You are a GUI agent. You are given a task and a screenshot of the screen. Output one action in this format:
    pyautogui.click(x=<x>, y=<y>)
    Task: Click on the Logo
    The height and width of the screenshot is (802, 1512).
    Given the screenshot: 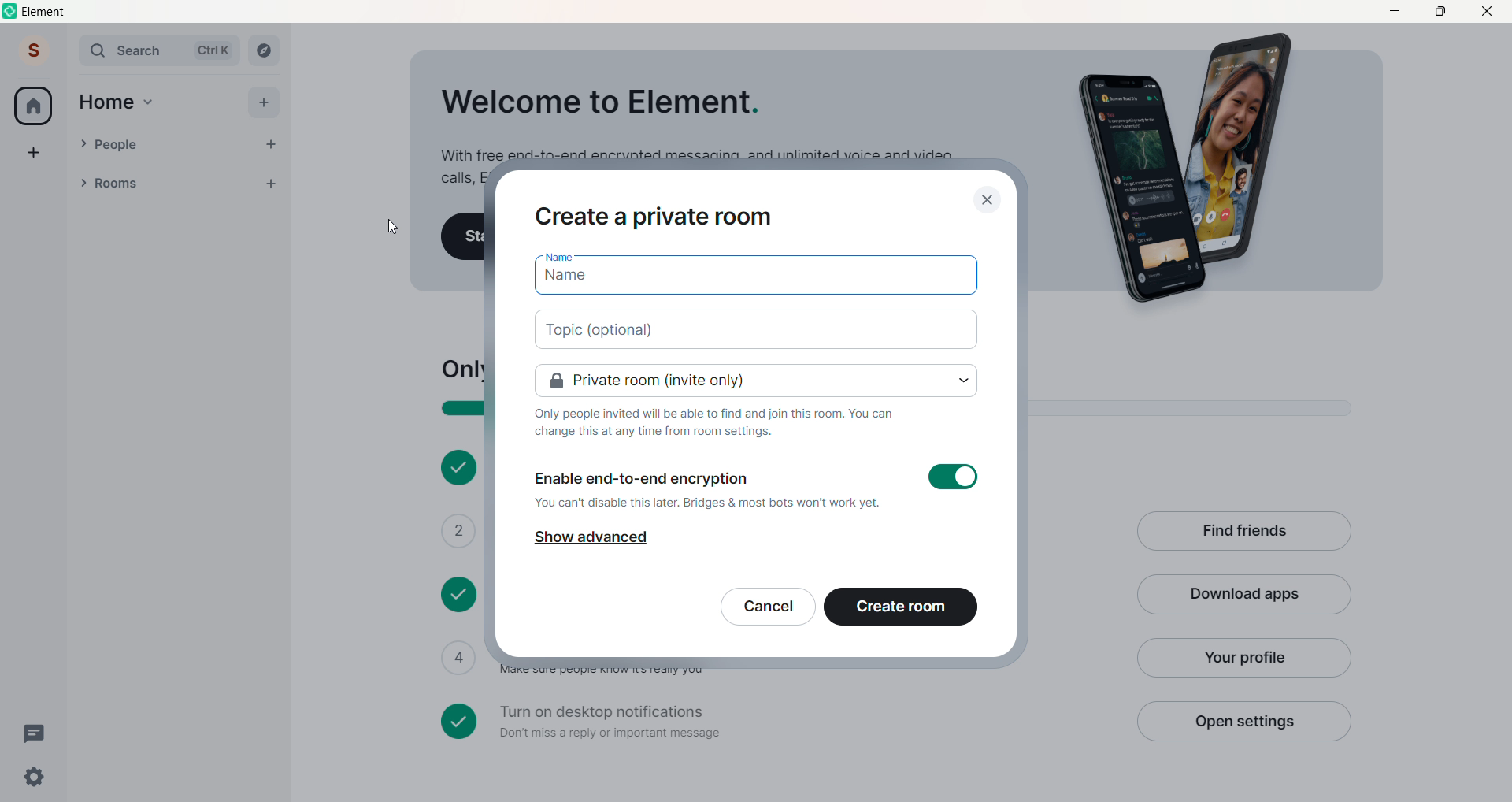 What is the action you would take?
    pyautogui.click(x=11, y=11)
    